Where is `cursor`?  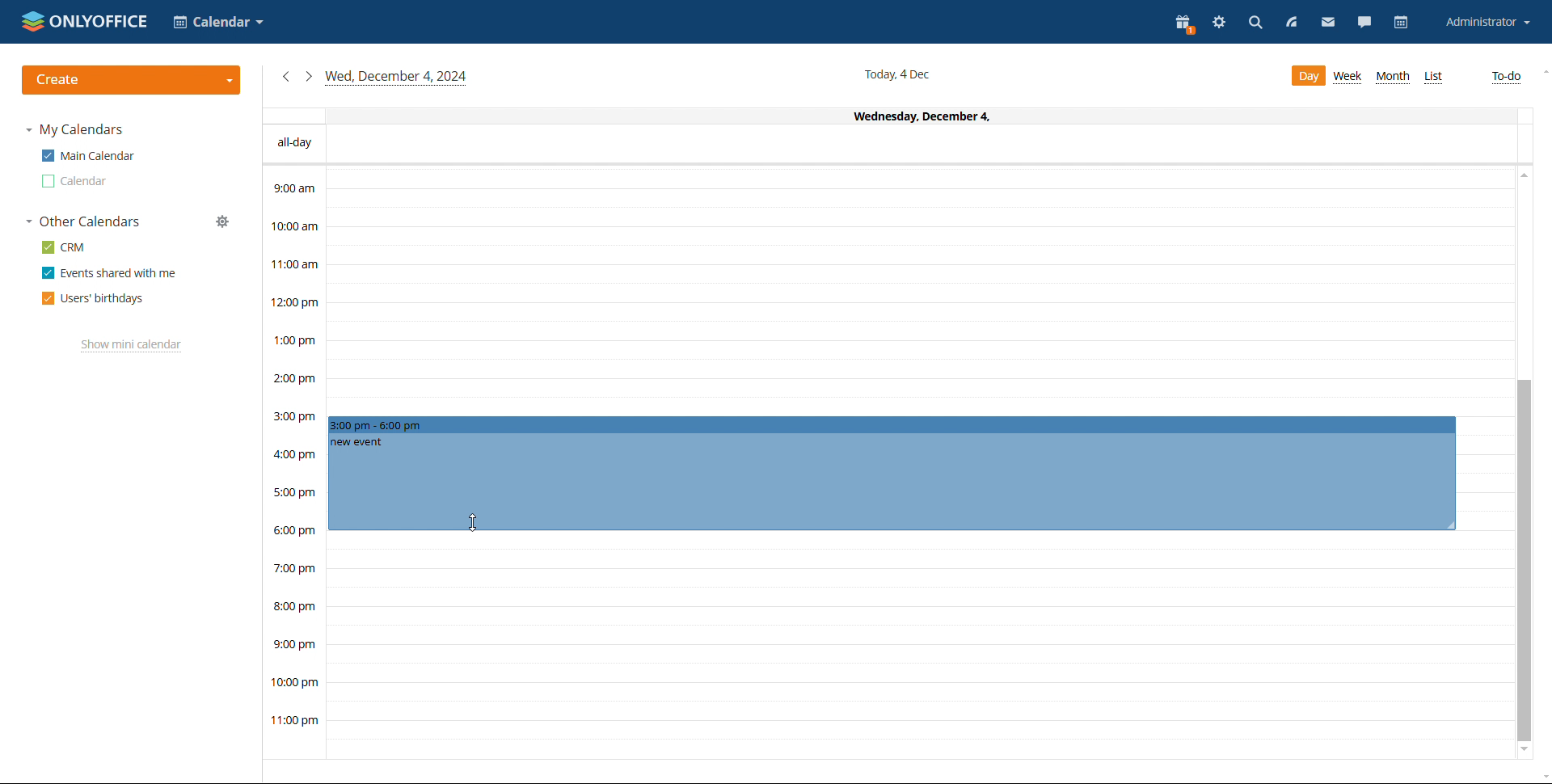
cursor is located at coordinates (477, 523).